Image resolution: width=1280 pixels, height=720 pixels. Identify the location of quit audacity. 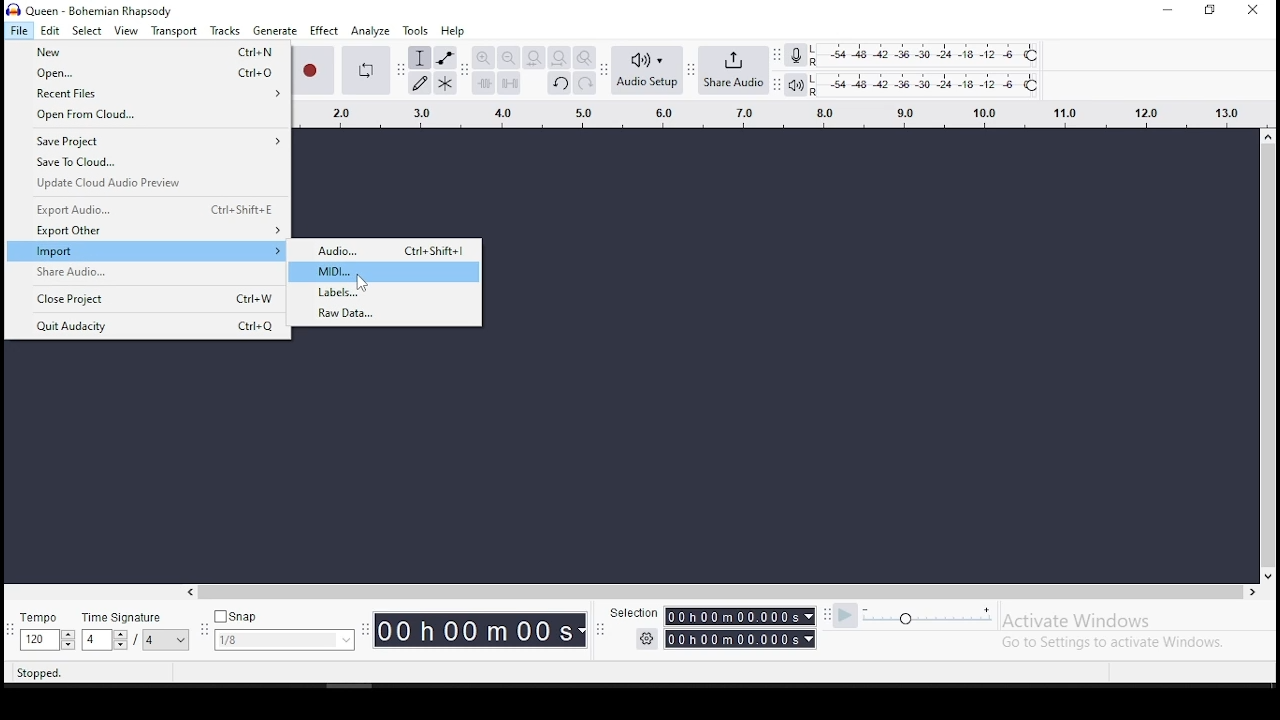
(148, 325).